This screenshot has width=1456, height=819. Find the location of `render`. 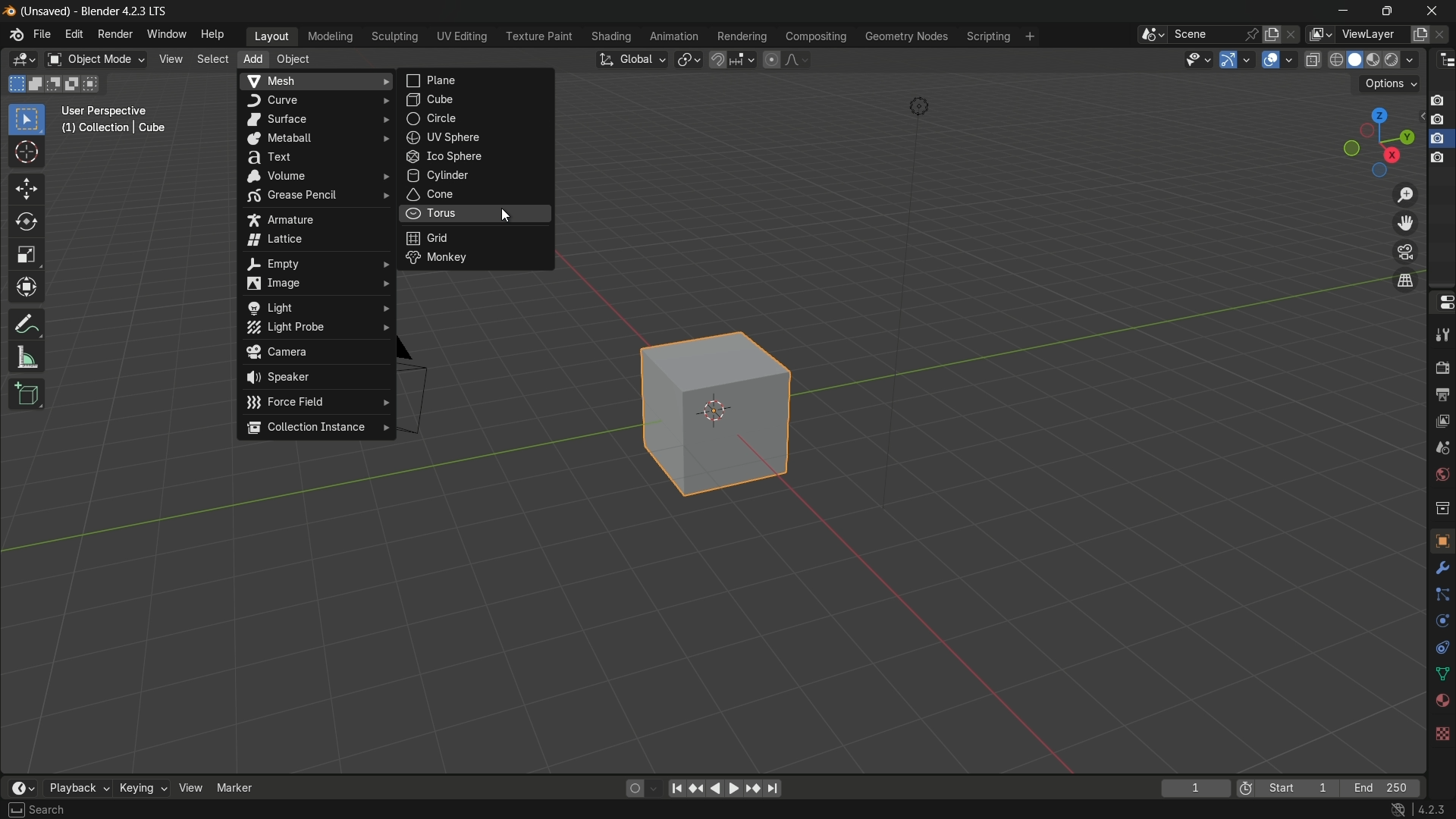

render is located at coordinates (1376, 61).